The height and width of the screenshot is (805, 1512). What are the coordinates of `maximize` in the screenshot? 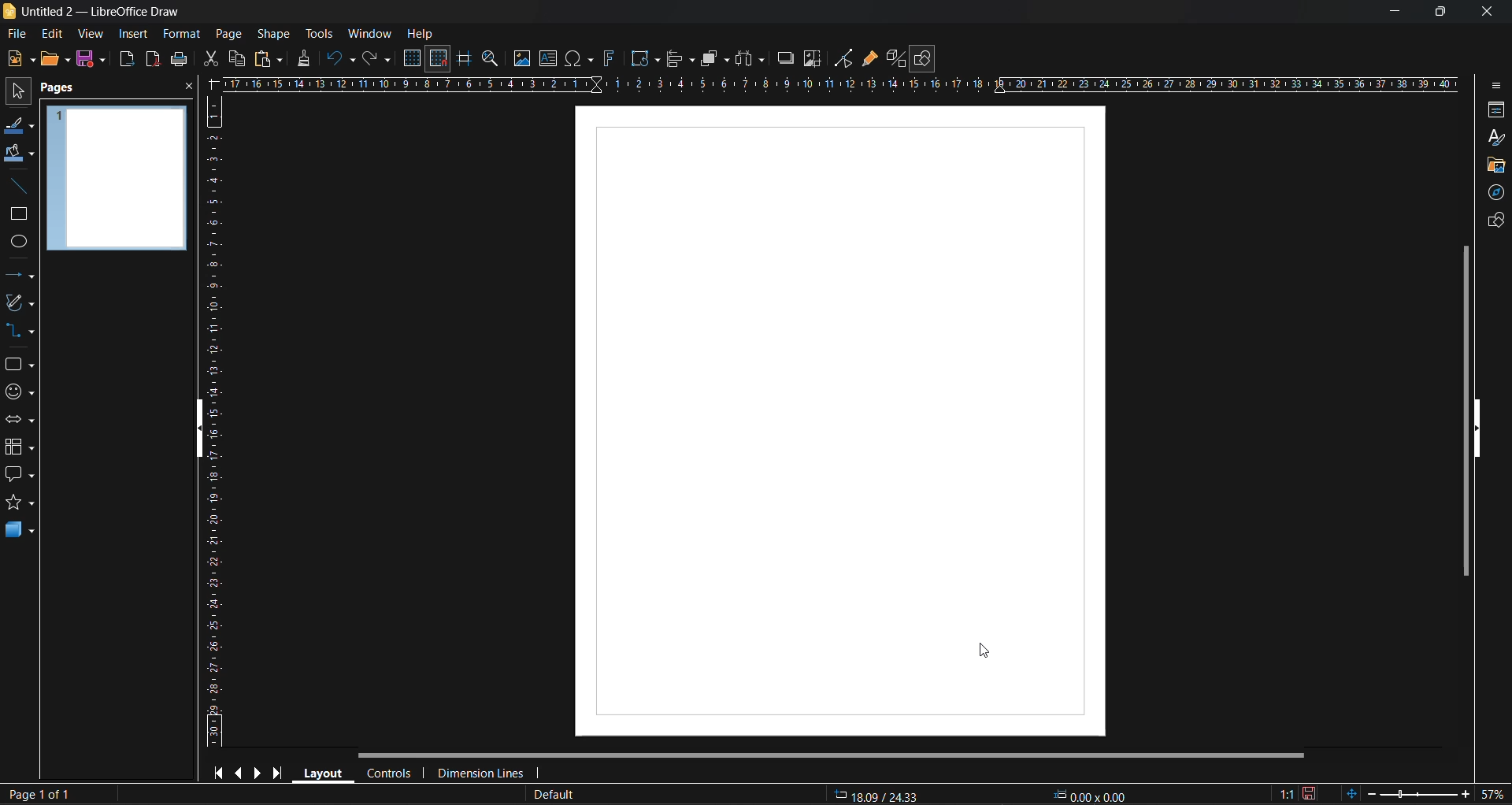 It's located at (1436, 13).